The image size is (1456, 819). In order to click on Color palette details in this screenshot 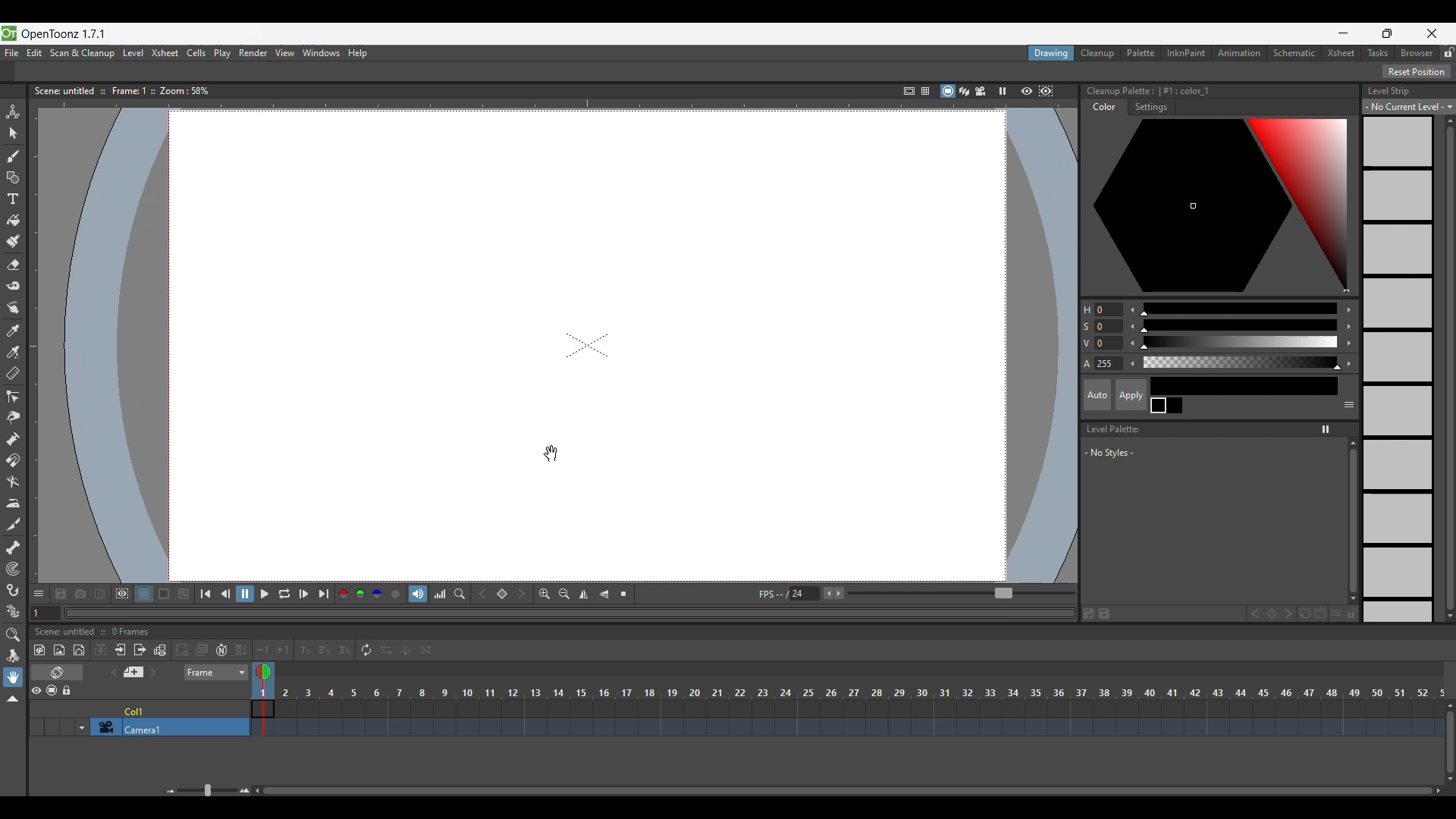, I will do `click(1158, 91)`.